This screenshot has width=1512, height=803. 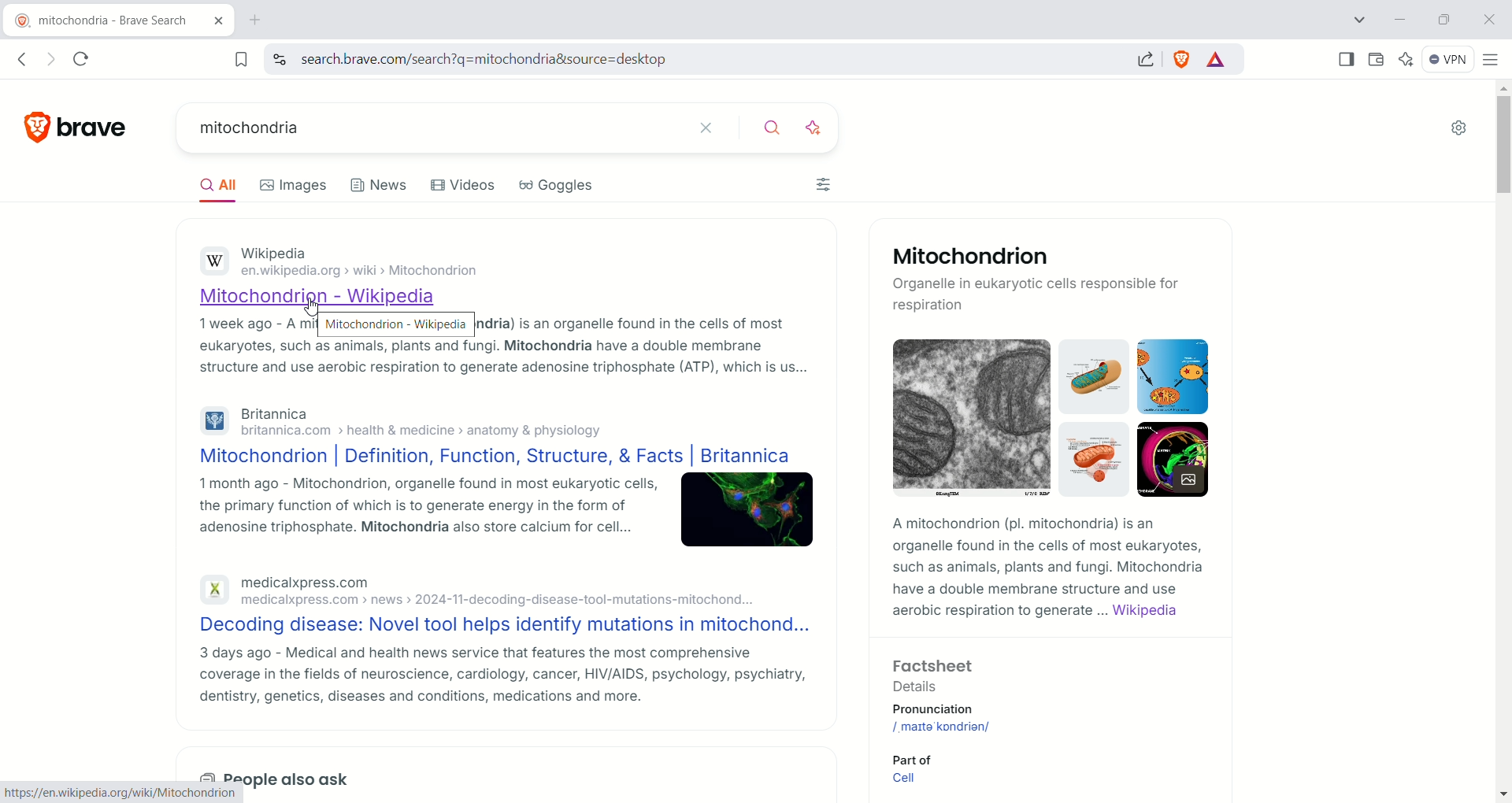 I want to click on shield, so click(x=1183, y=57).